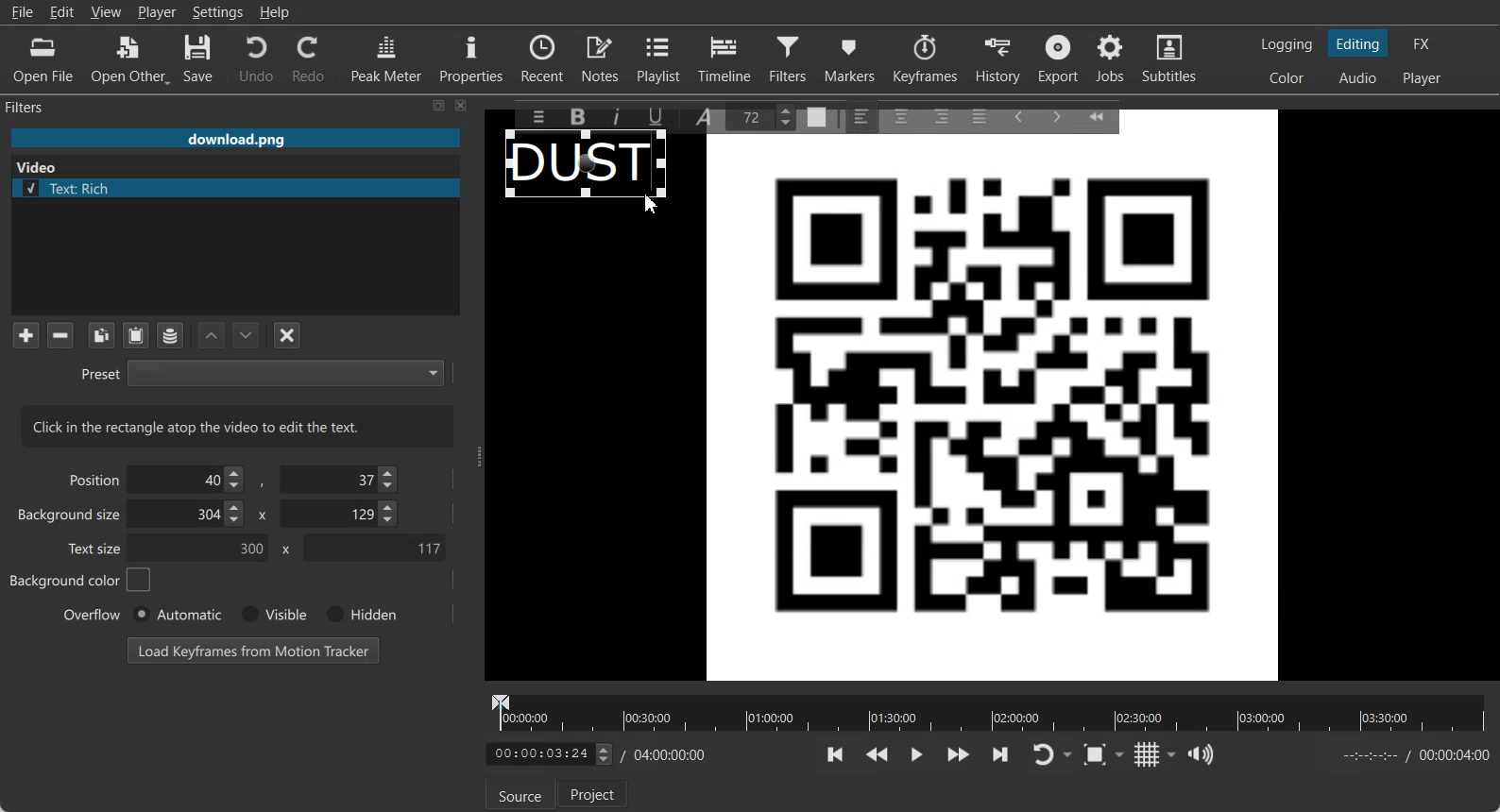  What do you see at coordinates (310, 59) in the screenshot?
I see `Redo` at bounding box center [310, 59].